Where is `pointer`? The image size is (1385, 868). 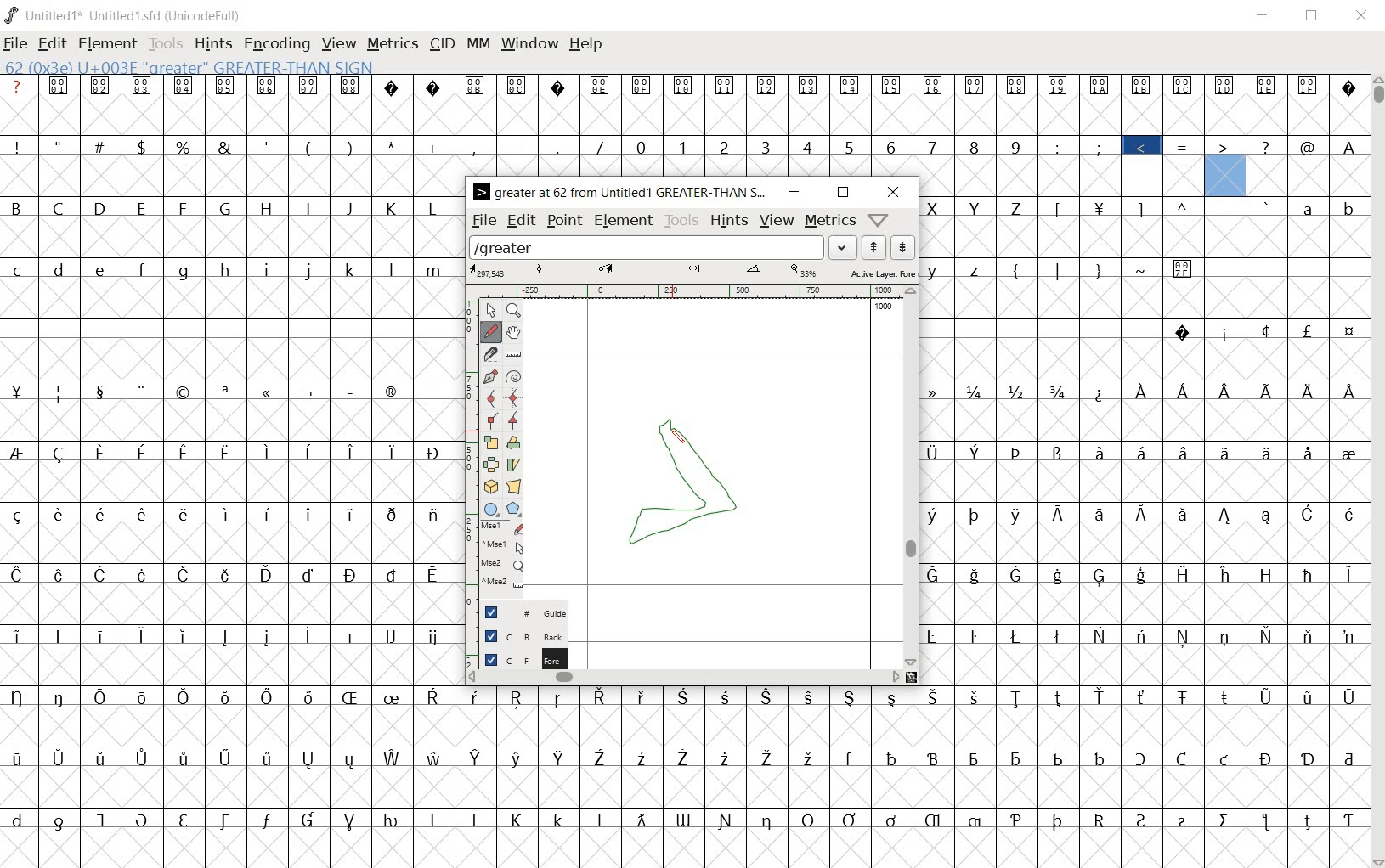 pointer is located at coordinates (490, 311).